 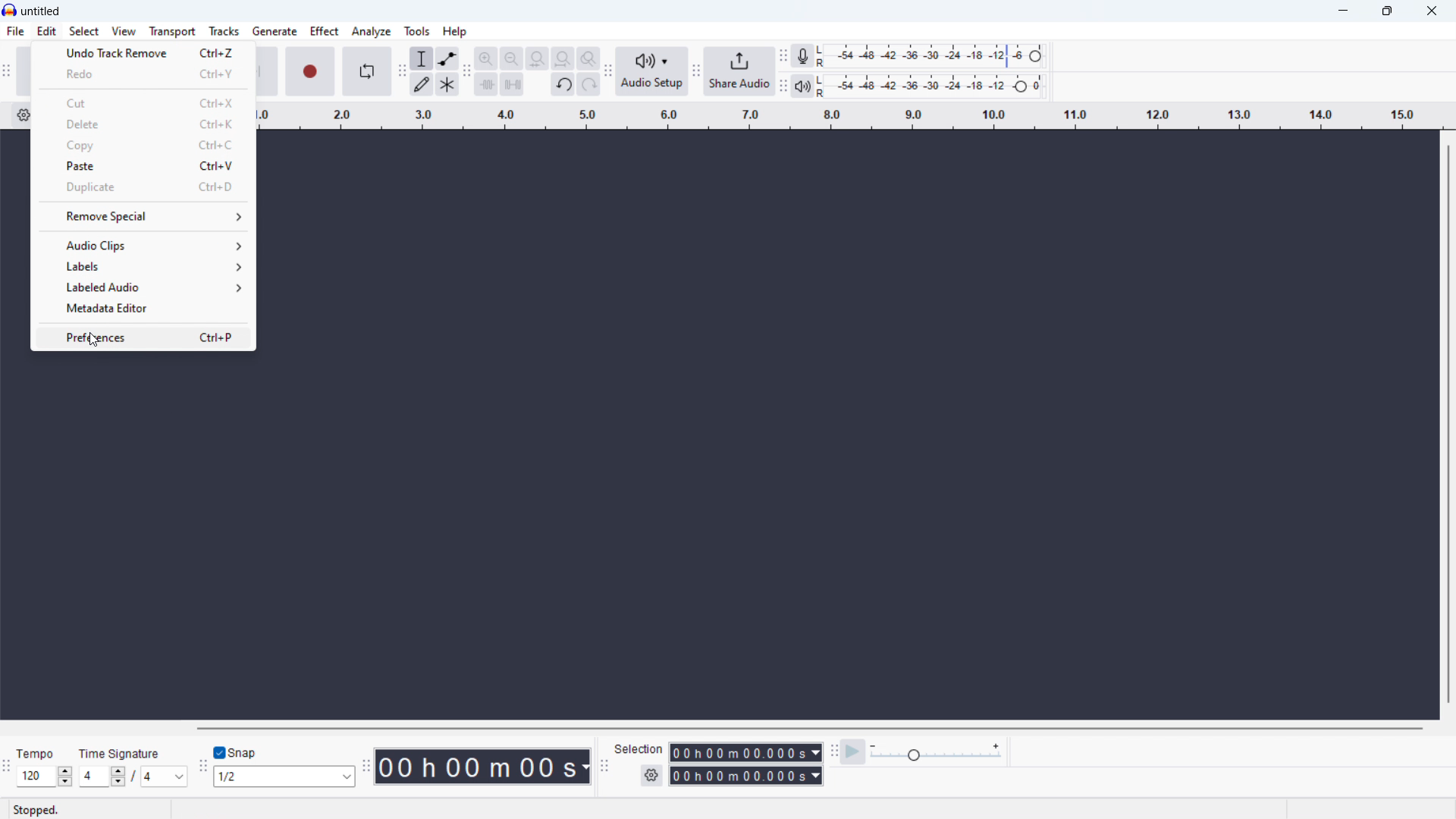 What do you see at coordinates (936, 57) in the screenshot?
I see `recording level` at bounding box center [936, 57].